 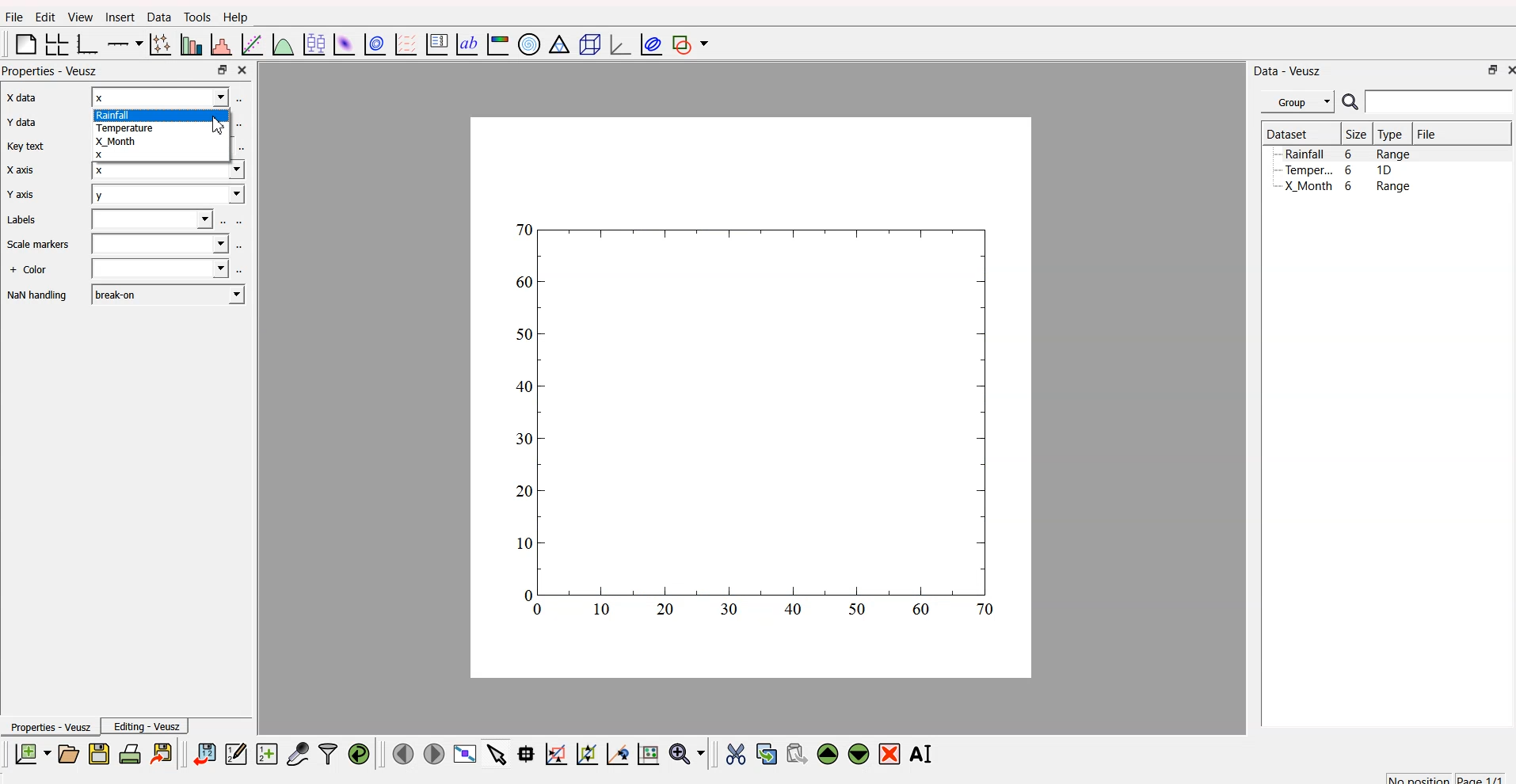 I want to click on break-on, so click(x=168, y=293).